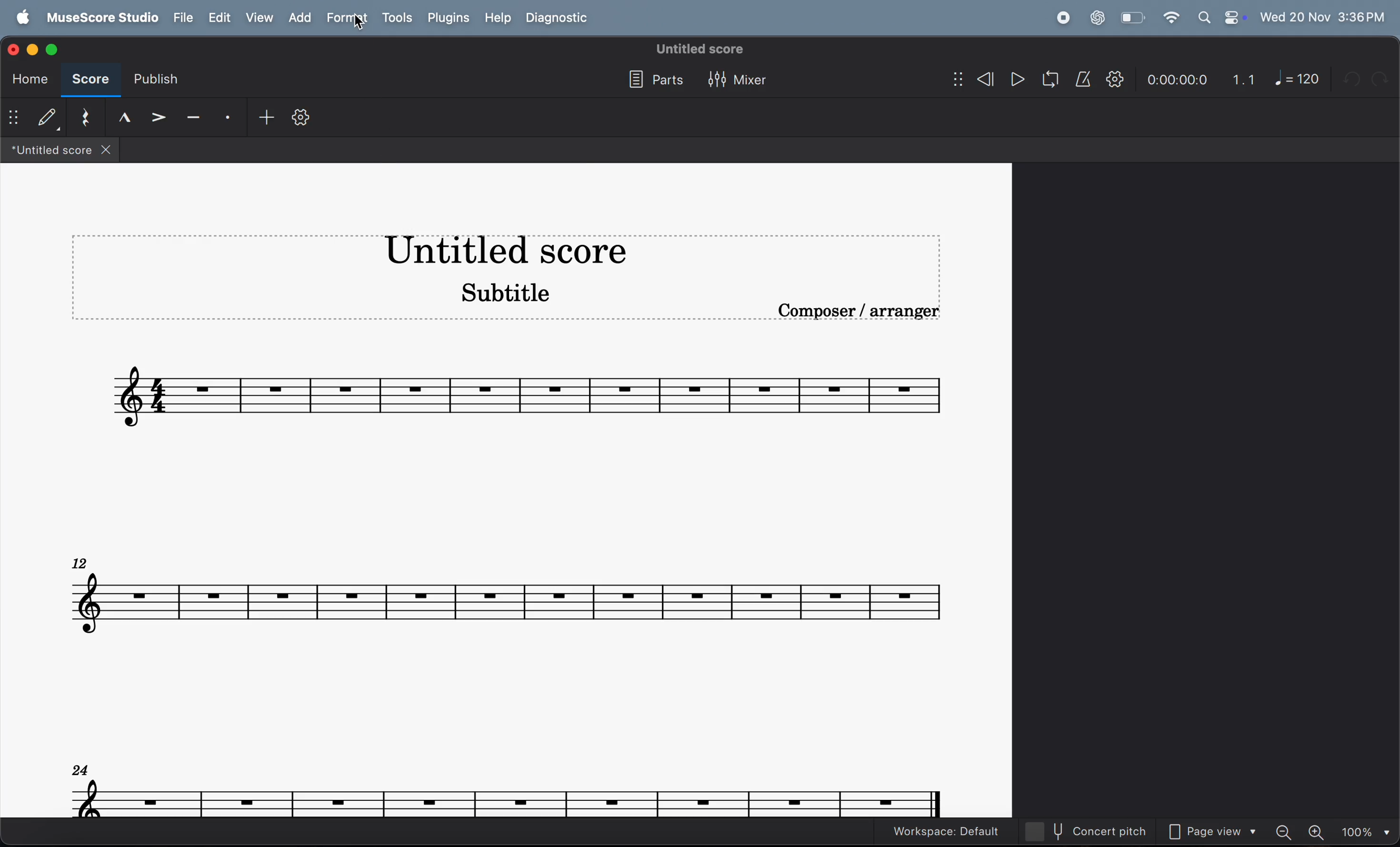 This screenshot has width=1400, height=847. What do you see at coordinates (349, 18) in the screenshot?
I see `format` at bounding box center [349, 18].